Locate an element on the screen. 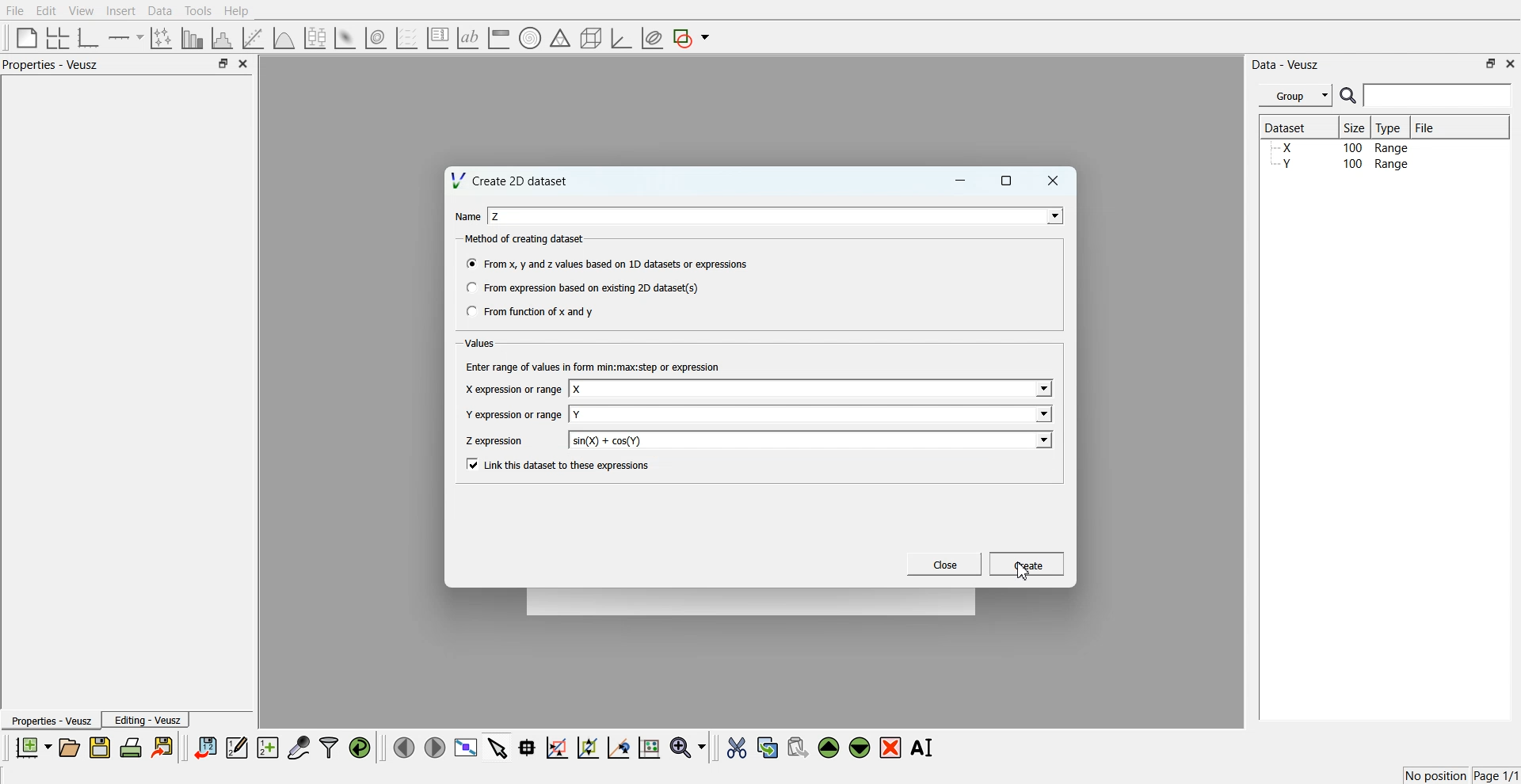 Image resolution: width=1521 pixels, height=784 pixels. Data is located at coordinates (162, 11).